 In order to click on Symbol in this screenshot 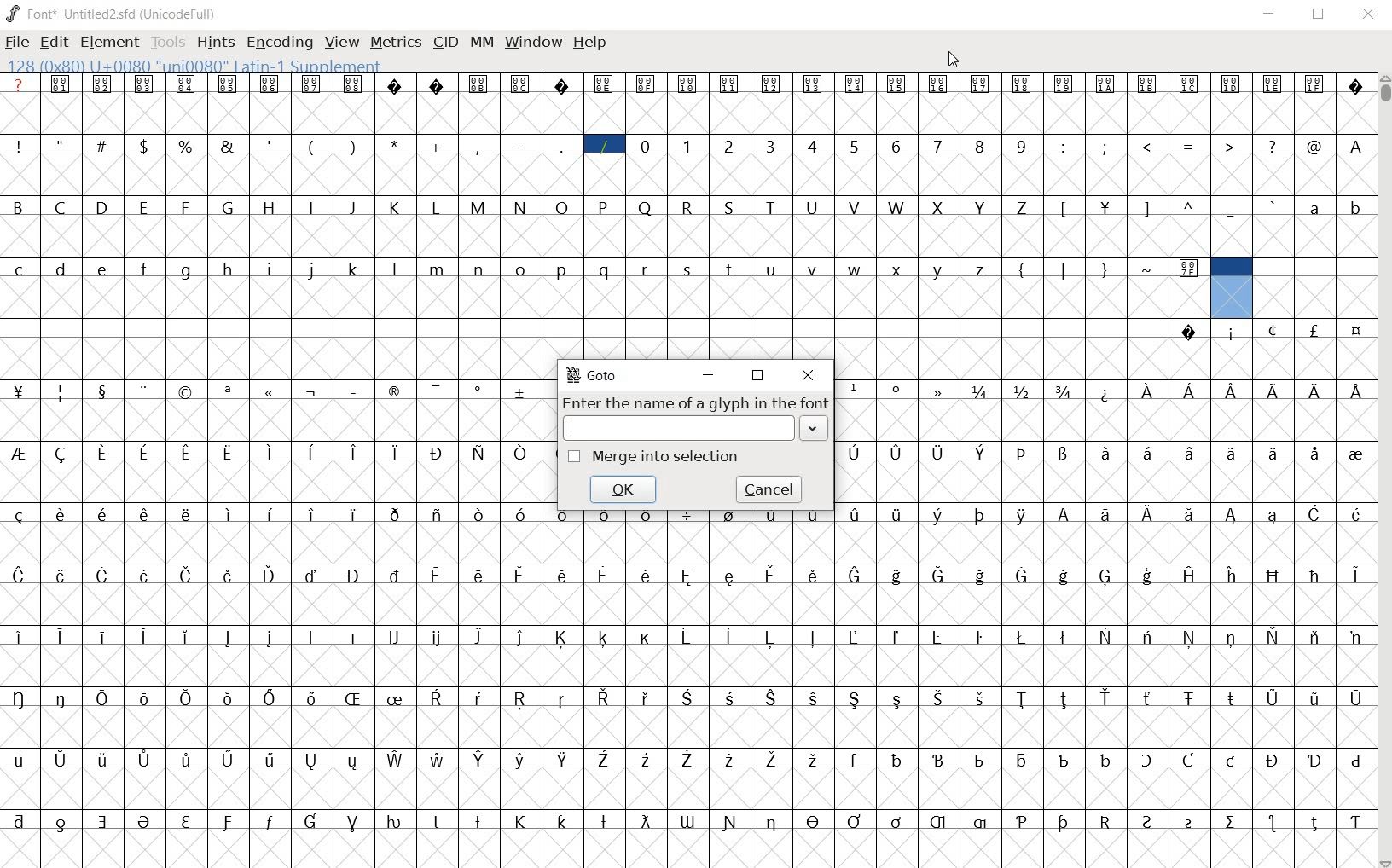, I will do `click(20, 574)`.